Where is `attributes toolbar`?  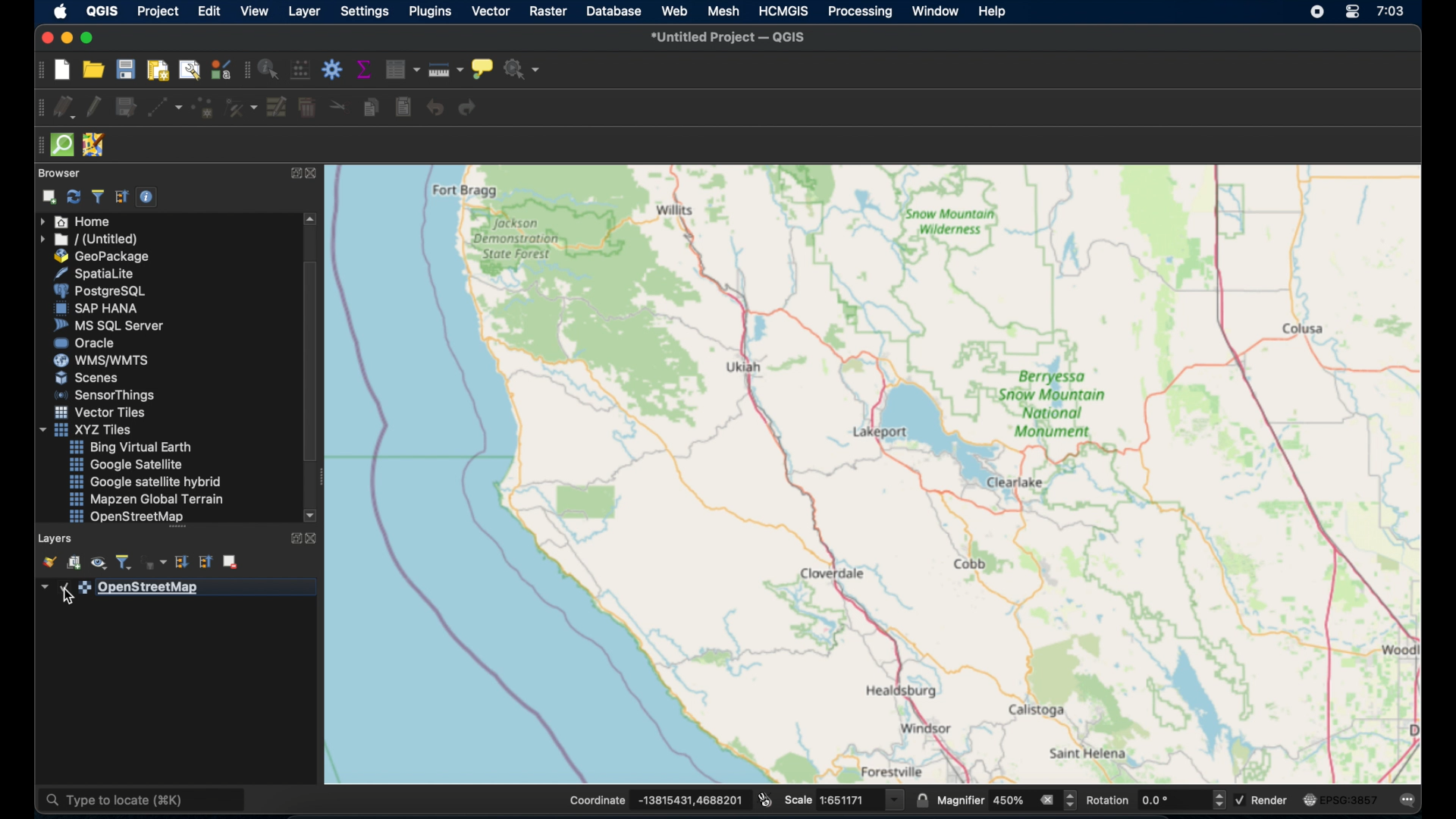 attributes toolbar is located at coordinates (247, 72).